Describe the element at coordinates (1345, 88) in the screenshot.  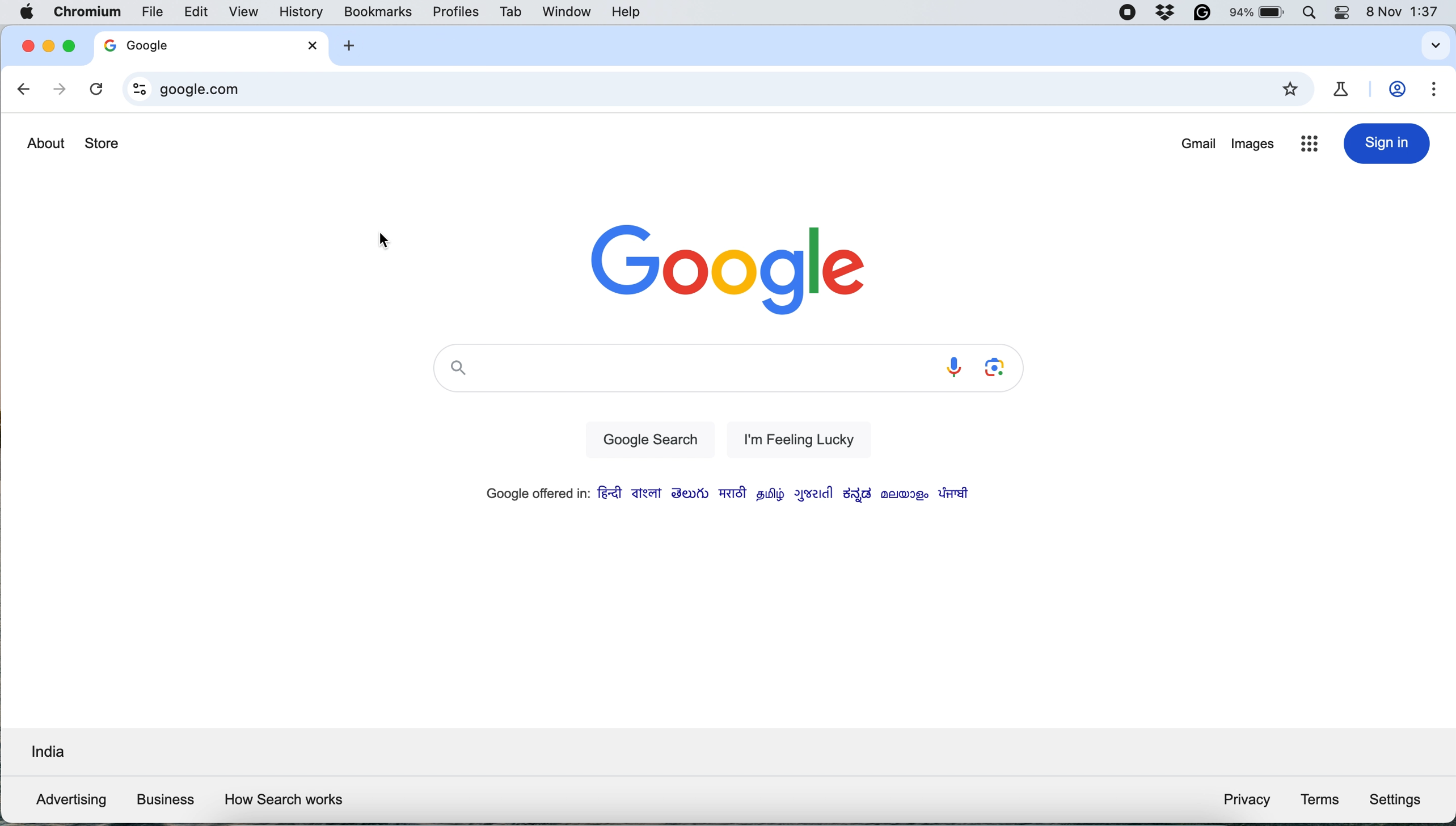
I see `chrome labs` at that location.